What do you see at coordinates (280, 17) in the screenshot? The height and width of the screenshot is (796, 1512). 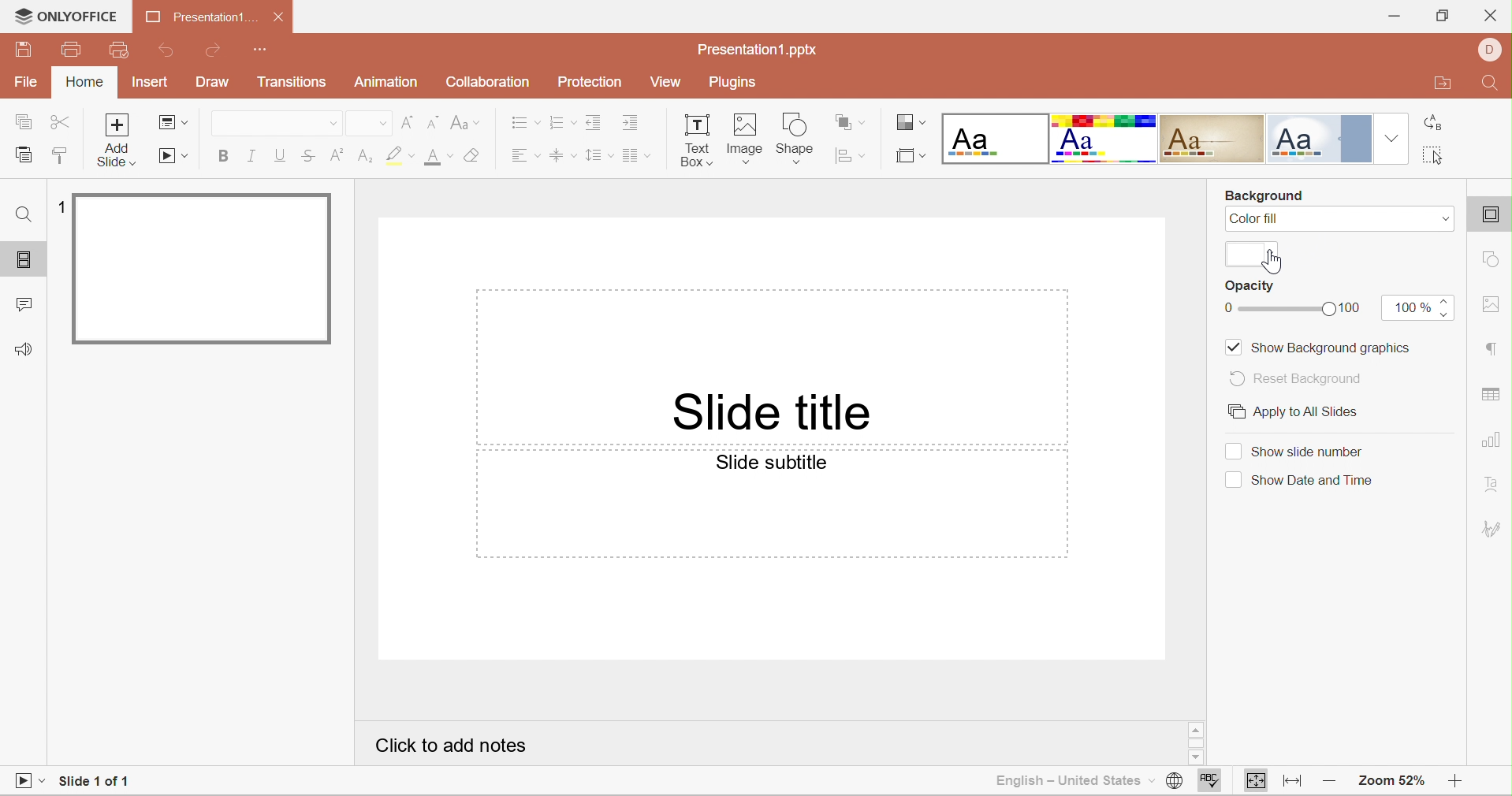 I see `Close` at bounding box center [280, 17].